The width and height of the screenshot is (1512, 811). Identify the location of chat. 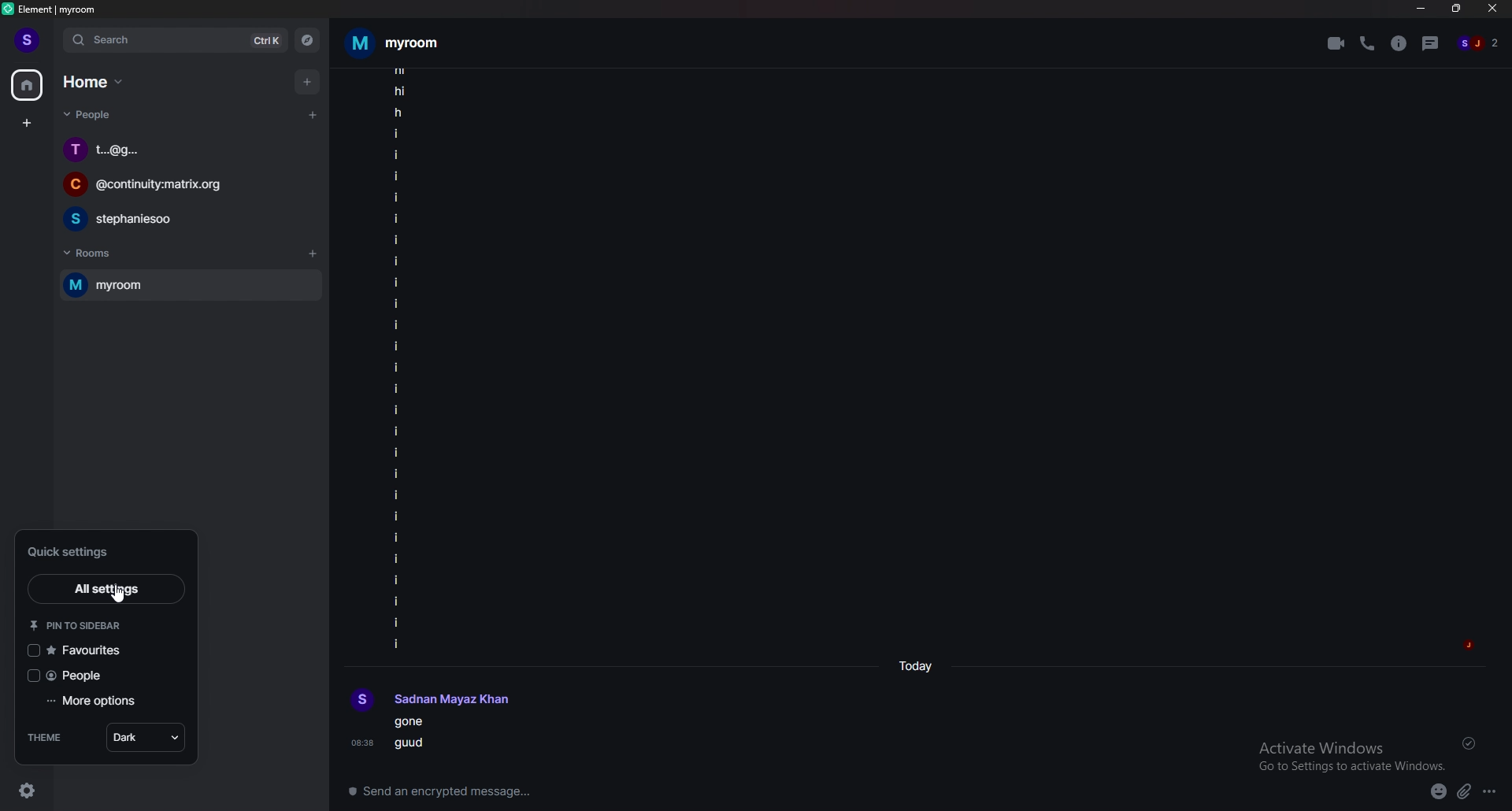
(184, 187).